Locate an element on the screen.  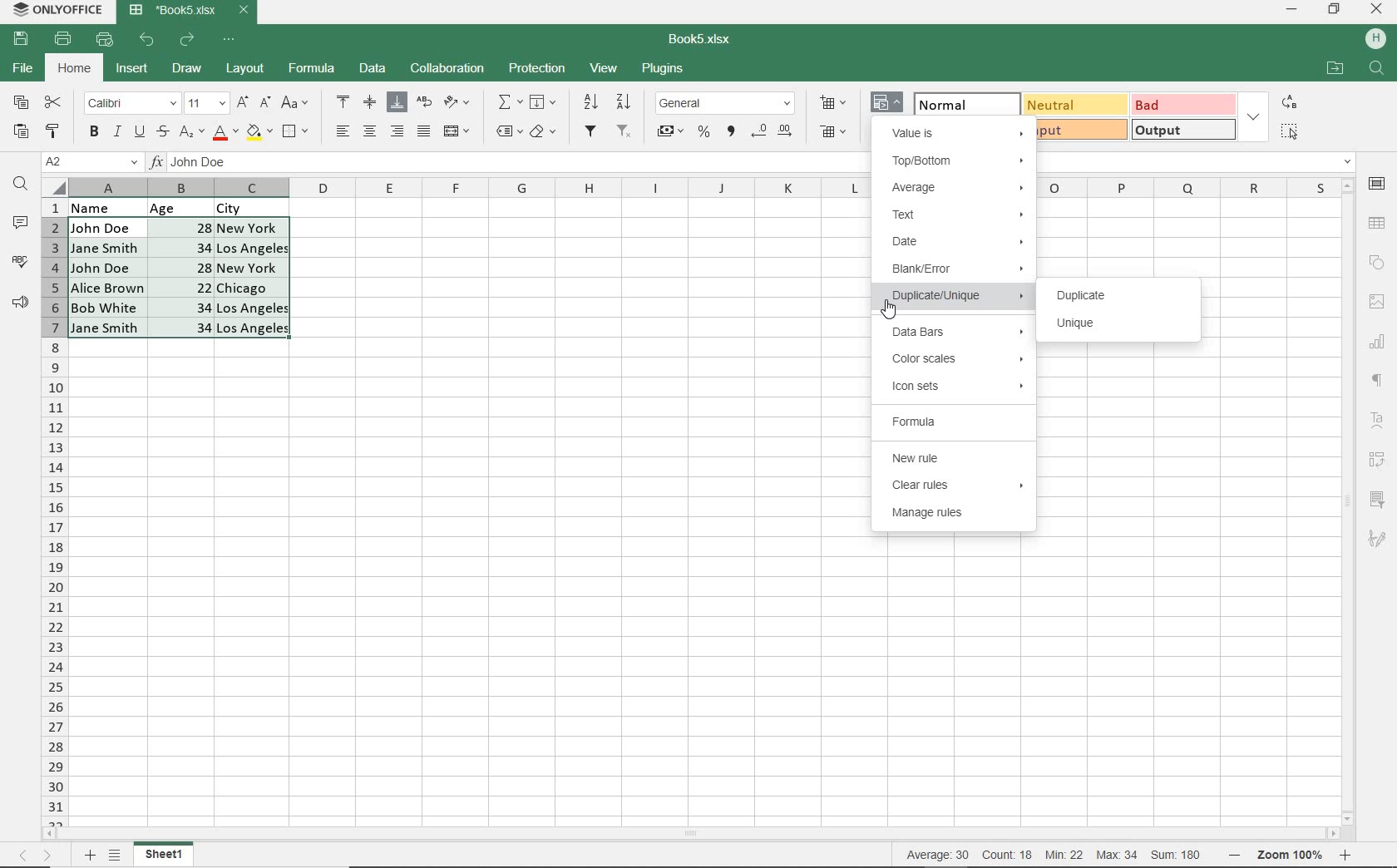
REDO is located at coordinates (189, 39).